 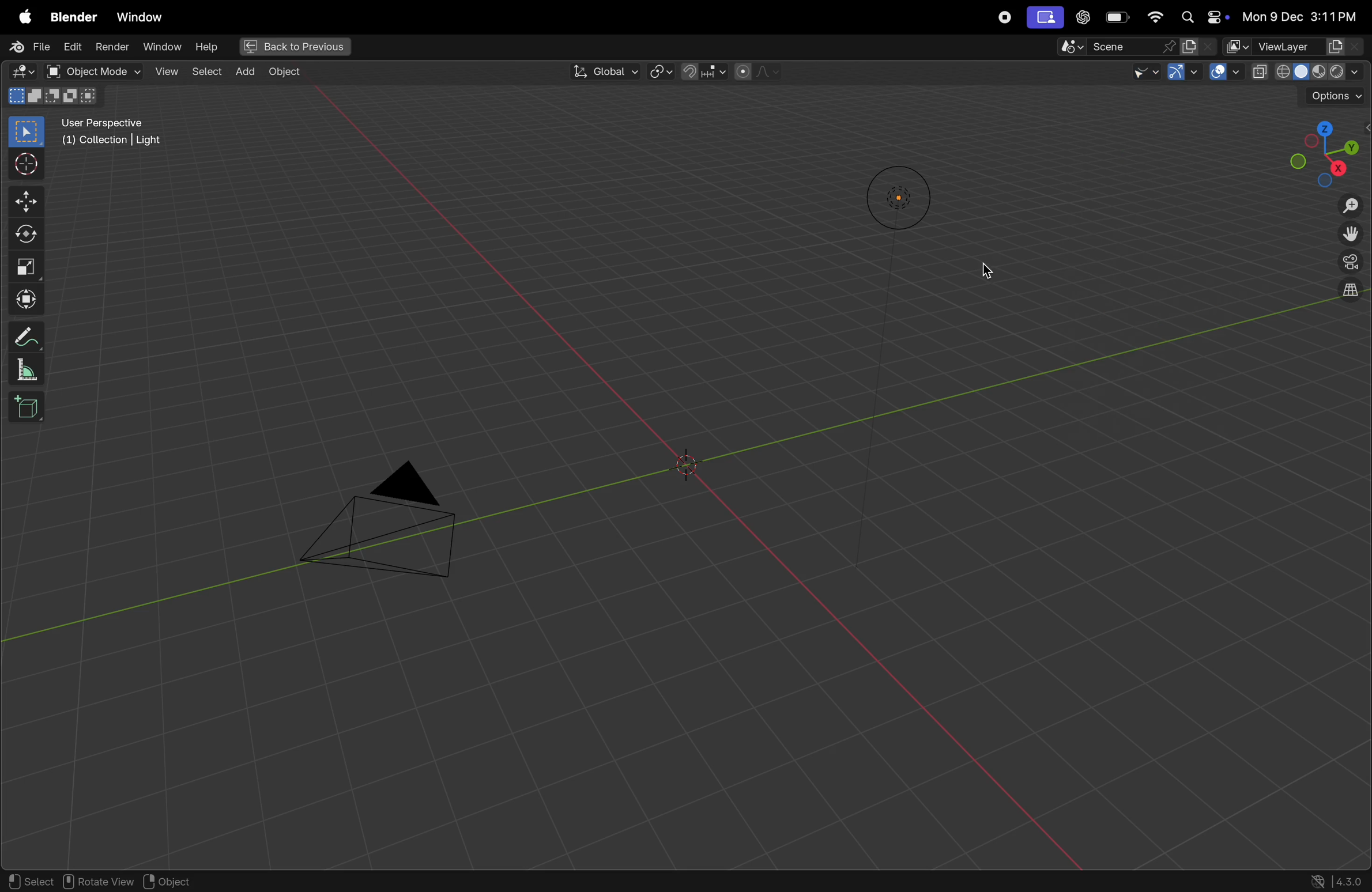 What do you see at coordinates (1128, 46) in the screenshot?
I see `scene` at bounding box center [1128, 46].